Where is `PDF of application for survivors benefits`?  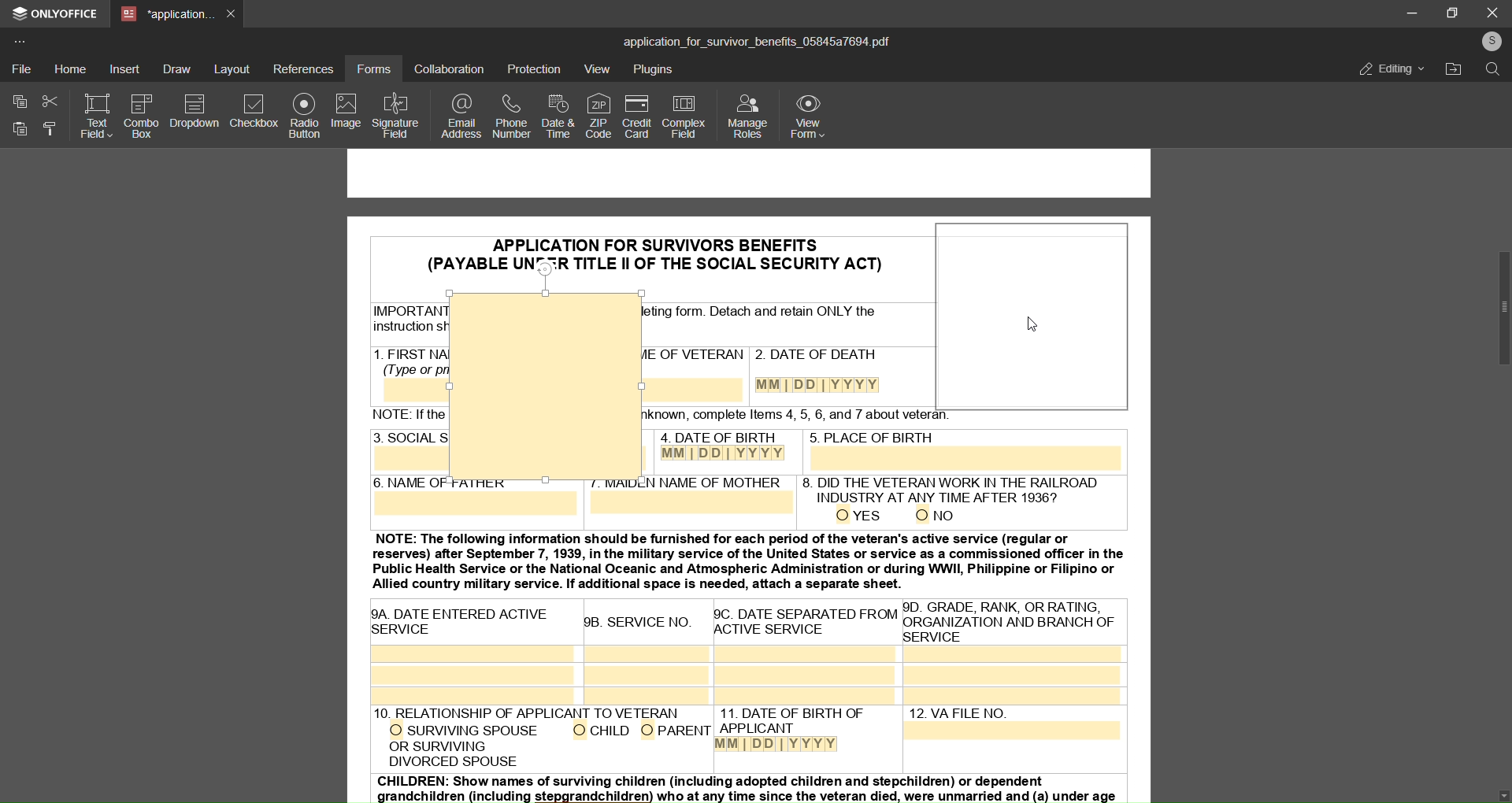
PDF of application for survivors benefits is located at coordinates (548, 239).